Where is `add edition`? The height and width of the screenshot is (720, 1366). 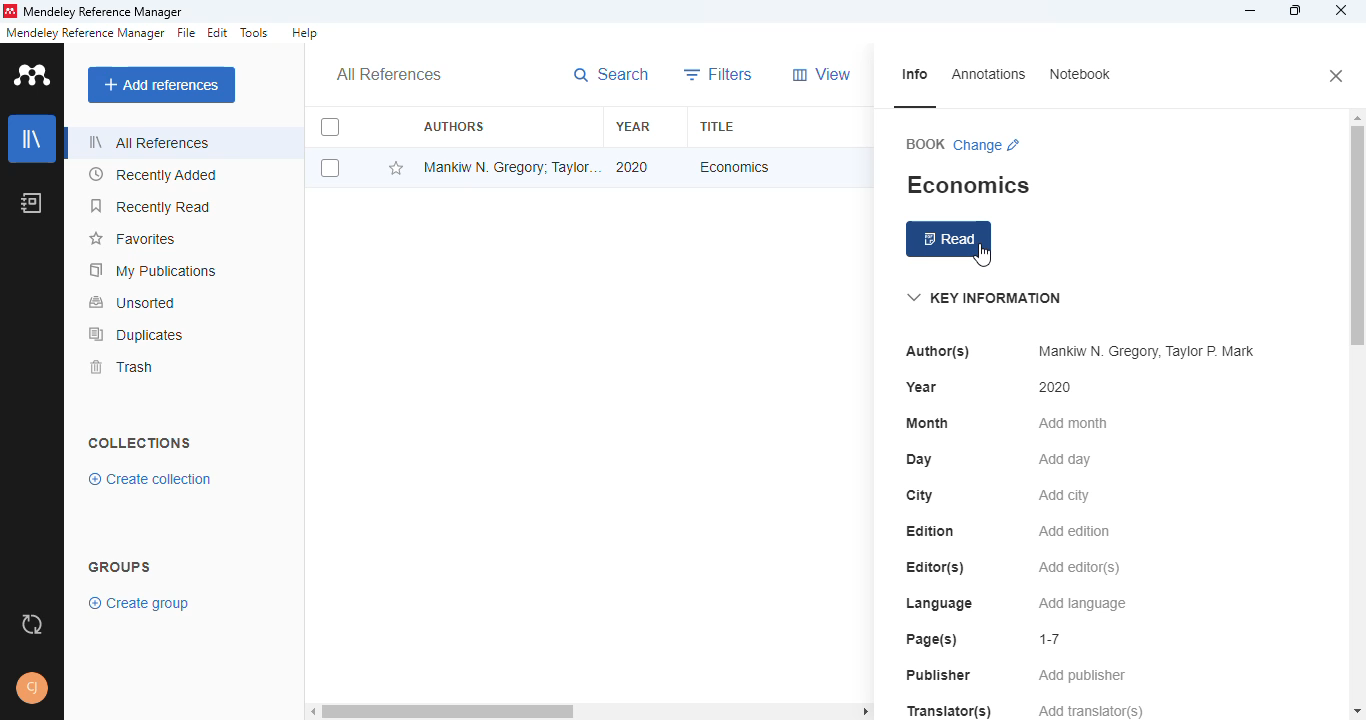 add edition is located at coordinates (1075, 532).